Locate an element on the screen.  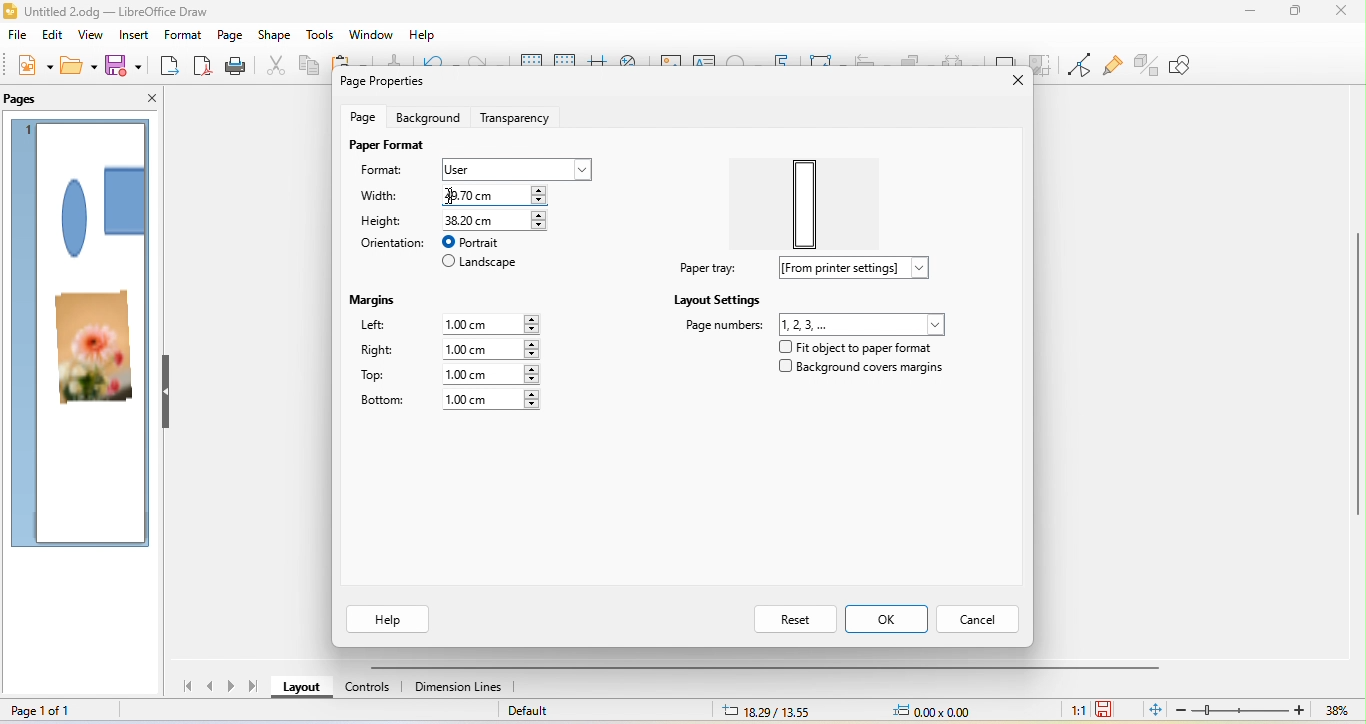
align object is located at coordinates (872, 63).